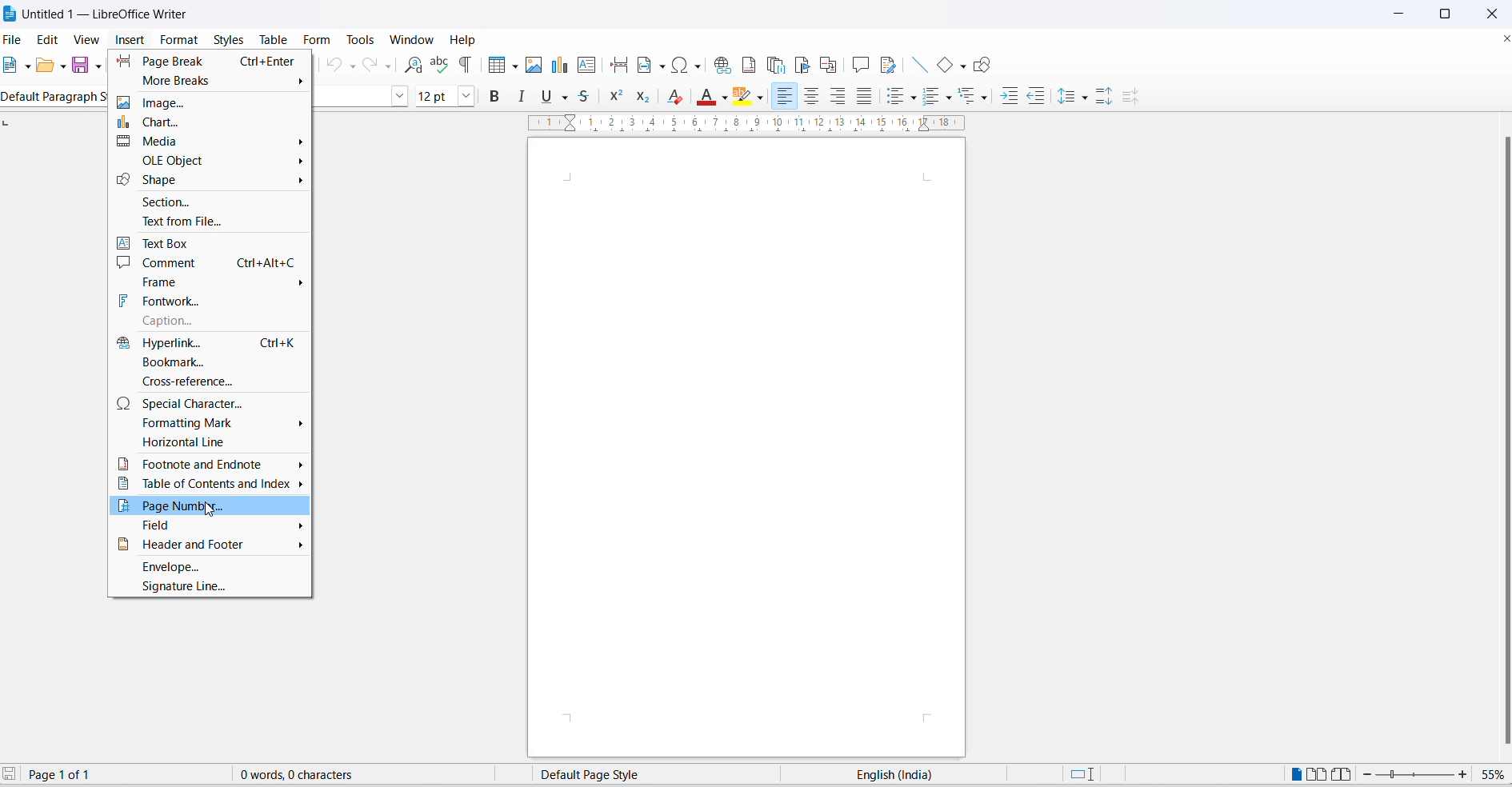  I want to click on section, so click(210, 202).